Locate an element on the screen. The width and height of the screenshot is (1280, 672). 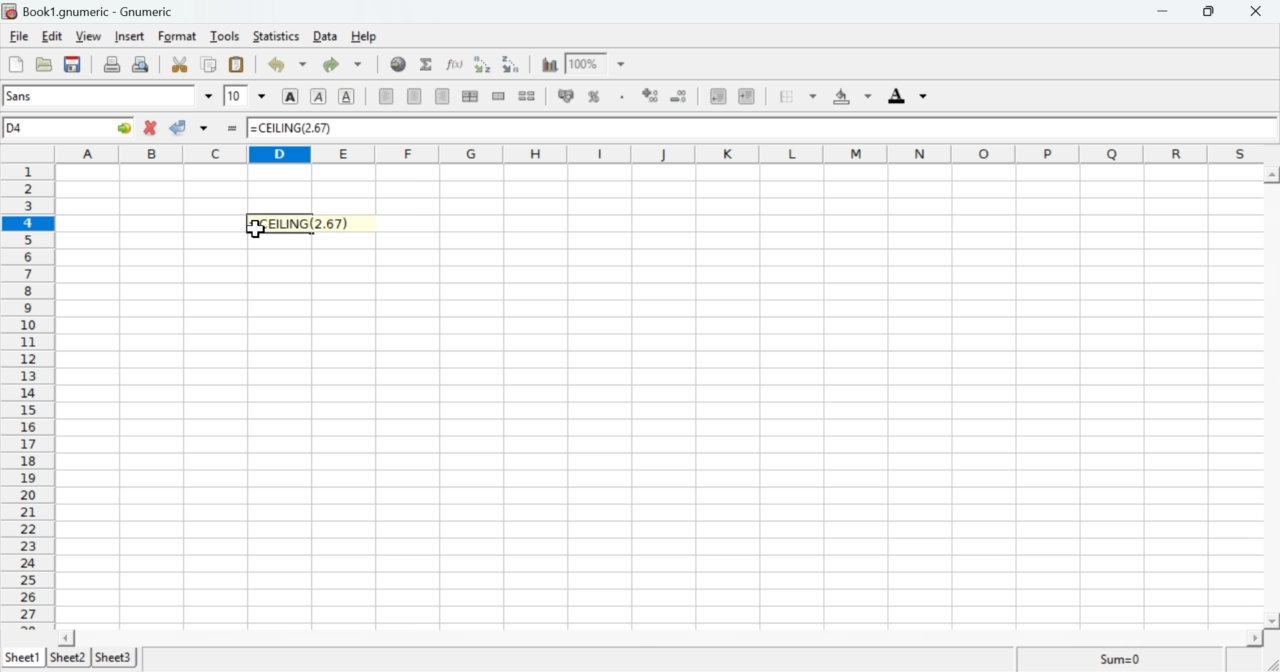
Increase Indent is located at coordinates (747, 95).